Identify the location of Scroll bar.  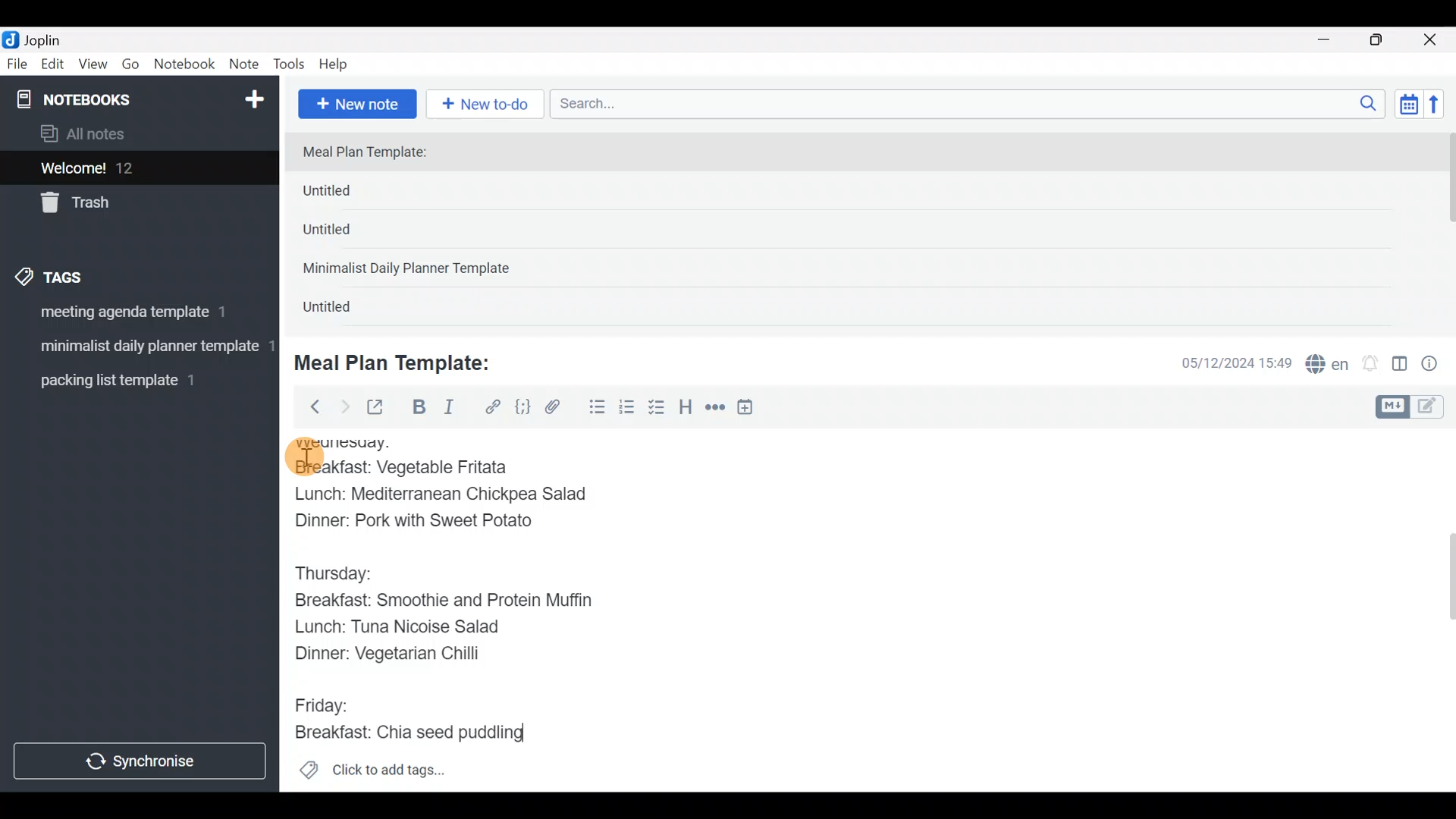
(1440, 610).